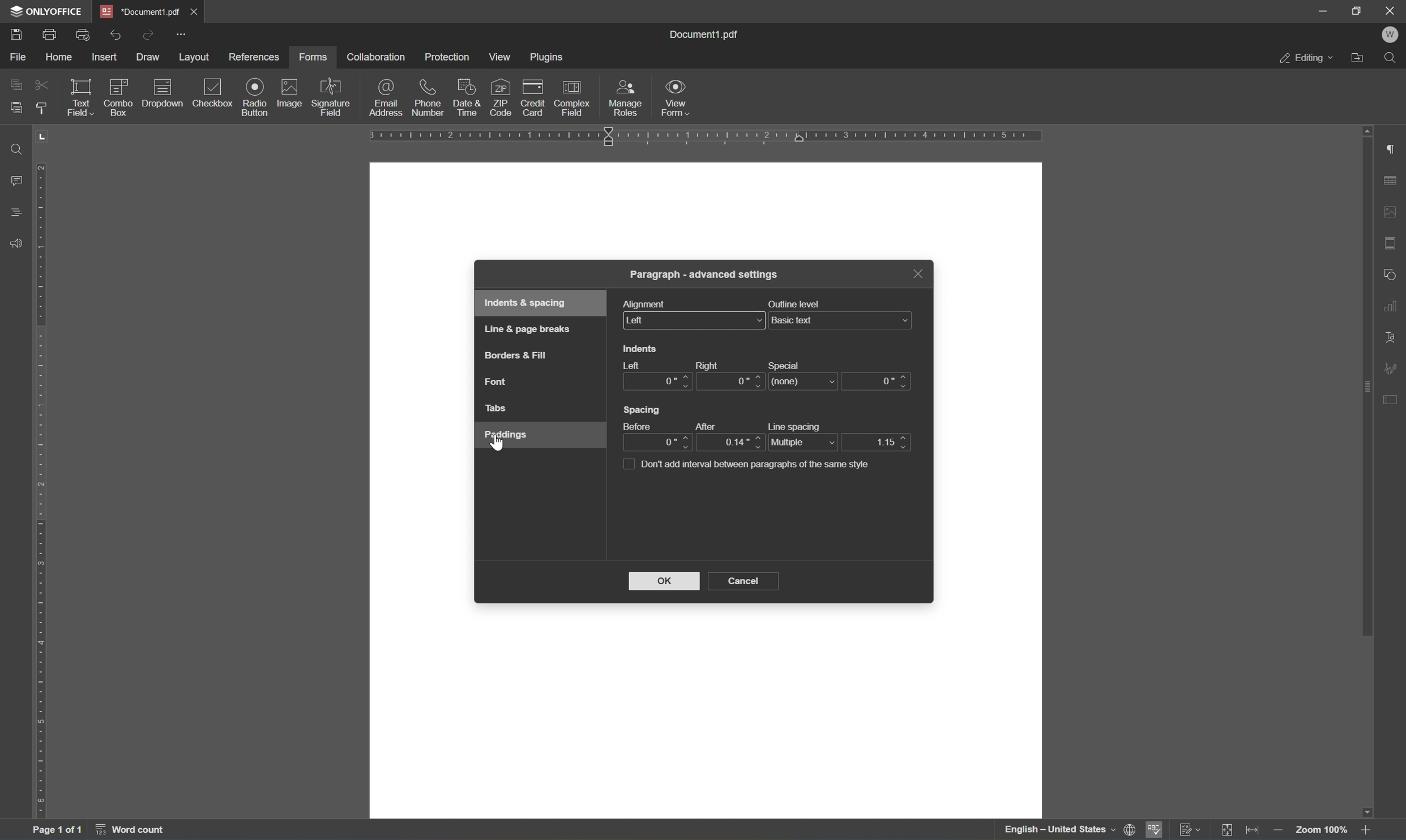 Image resolution: width=1406 pixels, height=840 pixels. I want to click on forms, so click(317, 56).